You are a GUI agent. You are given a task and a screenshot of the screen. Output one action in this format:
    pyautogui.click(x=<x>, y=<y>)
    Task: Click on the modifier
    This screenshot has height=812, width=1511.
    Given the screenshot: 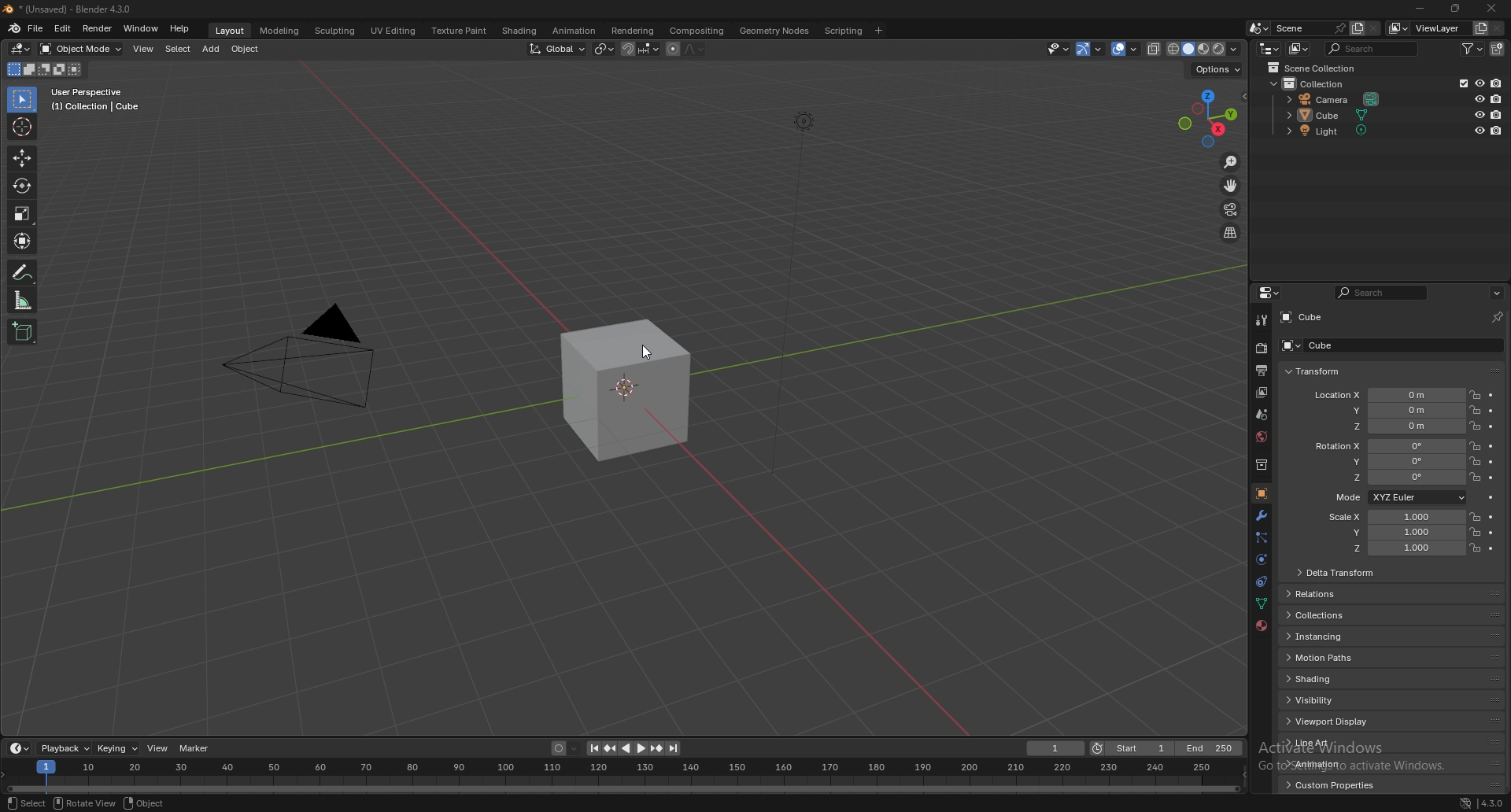 What is the action you would take?
    pyautogui.click(x=1262, y=515)
    